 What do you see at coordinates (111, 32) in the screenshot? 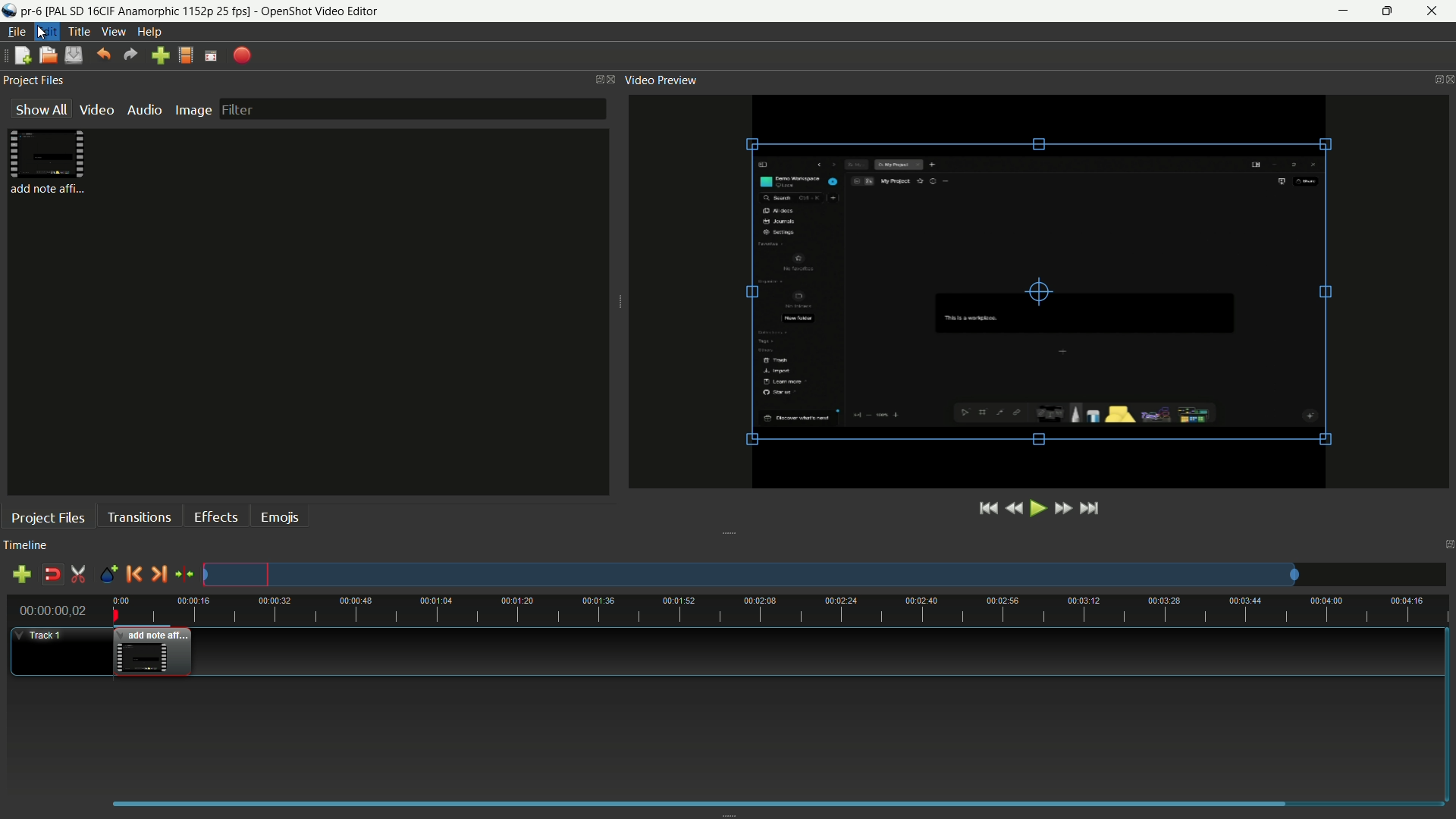
I see `view menu` at bounding box center [111, 32].